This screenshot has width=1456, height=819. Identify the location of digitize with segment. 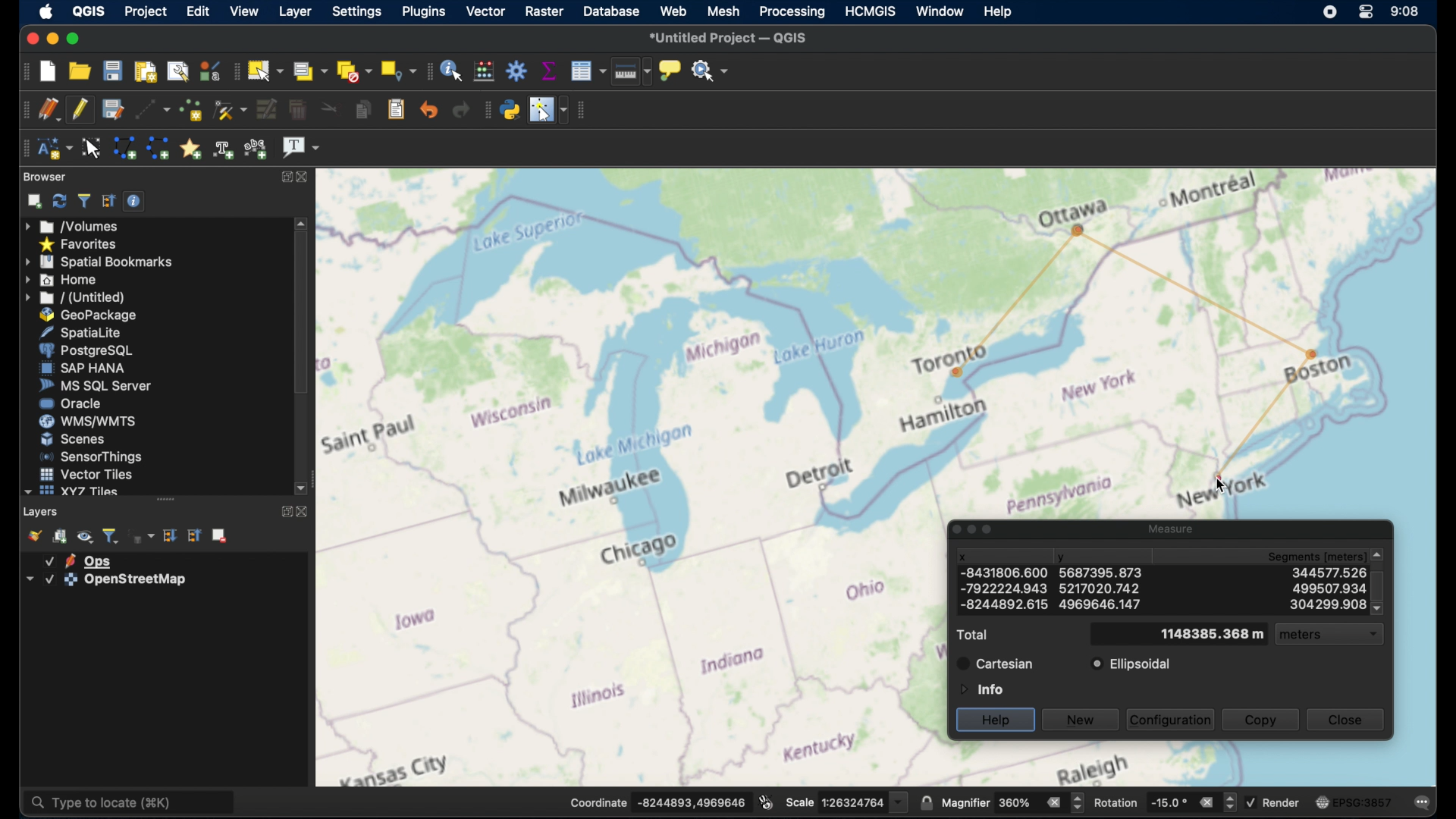
(152, 108).